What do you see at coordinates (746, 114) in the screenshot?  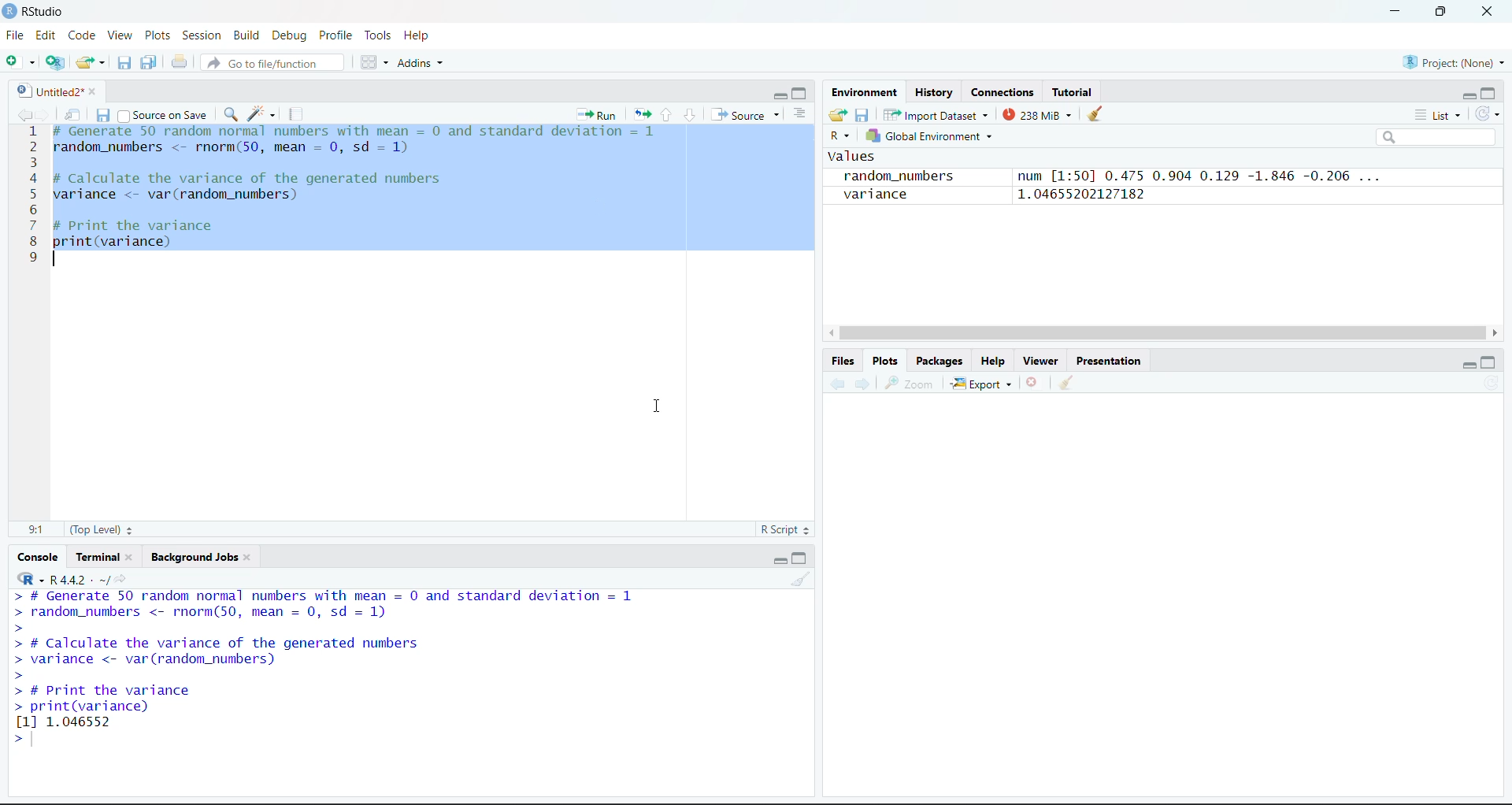 I see `Source` at bounding box center [746, 114].